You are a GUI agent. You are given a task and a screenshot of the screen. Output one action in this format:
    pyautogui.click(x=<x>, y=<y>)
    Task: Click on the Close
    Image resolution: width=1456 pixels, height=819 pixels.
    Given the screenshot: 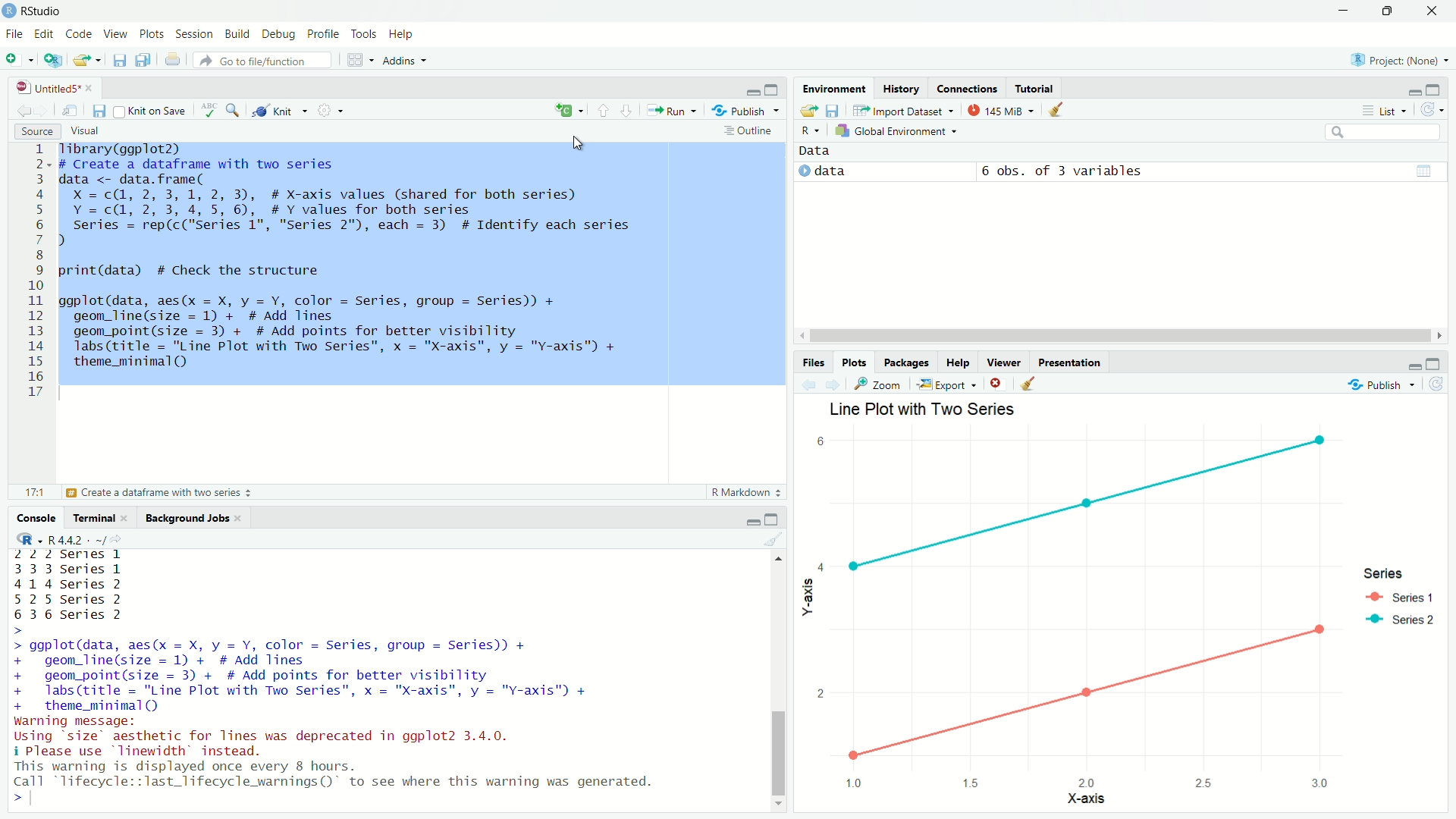 What is the action you would take?
    pyautogui.click(x=1429, y=14)
    